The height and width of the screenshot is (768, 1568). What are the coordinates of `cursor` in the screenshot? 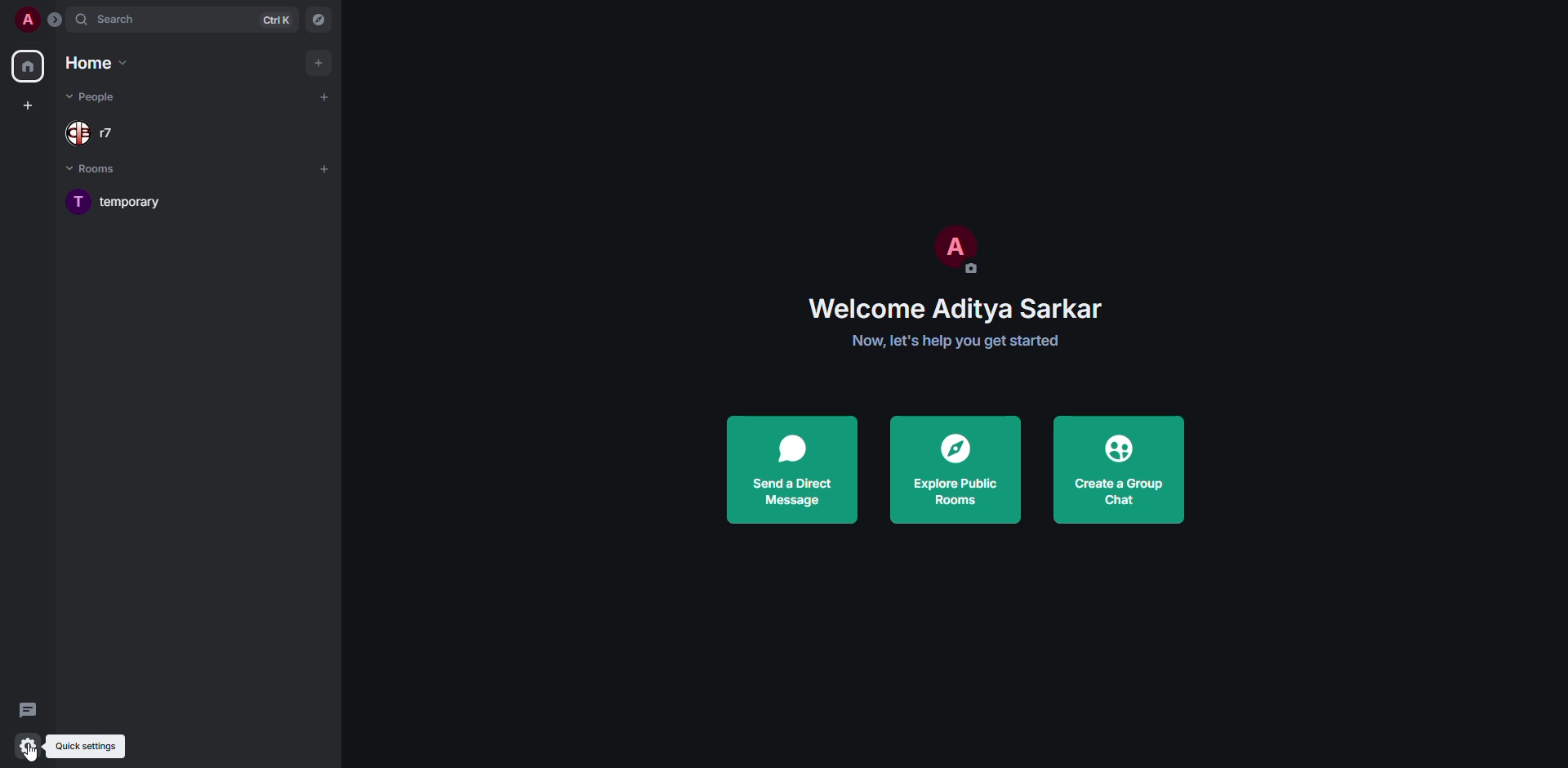 It's located at (33, 754).